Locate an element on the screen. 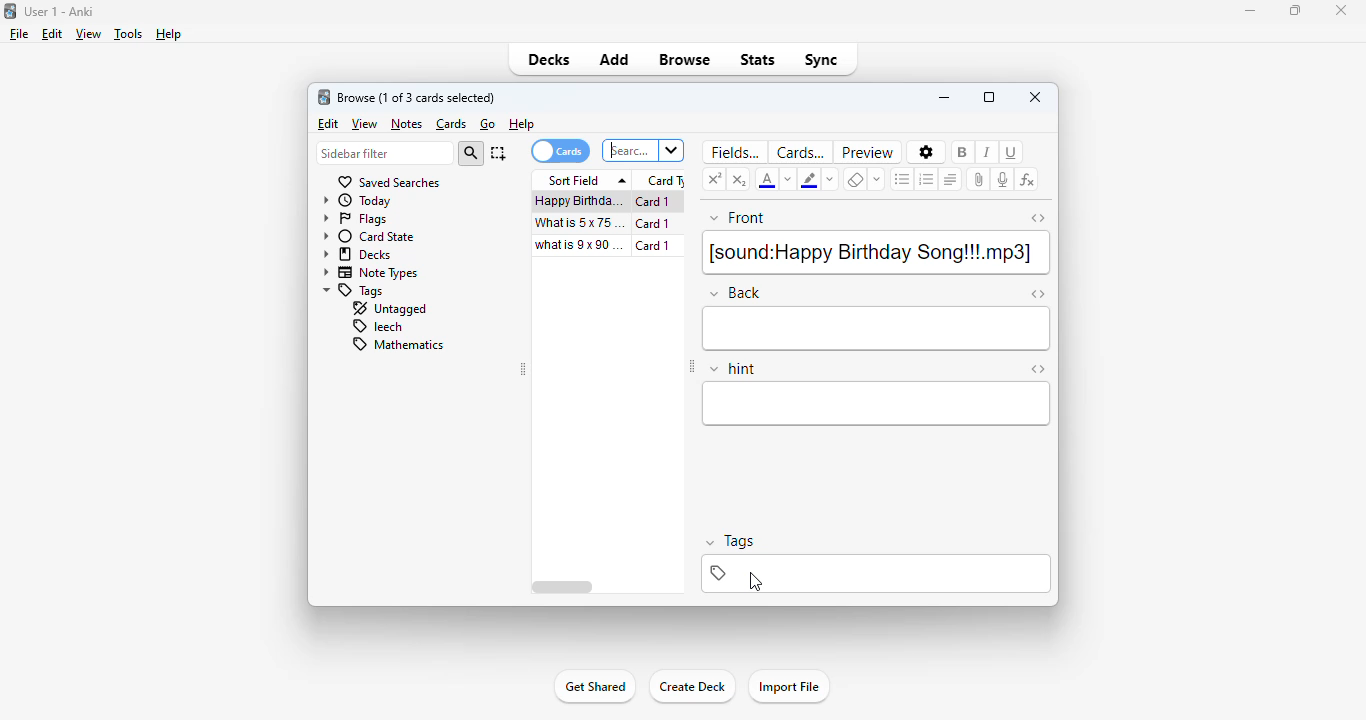 Image resolution: width=1366 pixels, height=720 pixels. minimize is located at coordinates (944, 97).